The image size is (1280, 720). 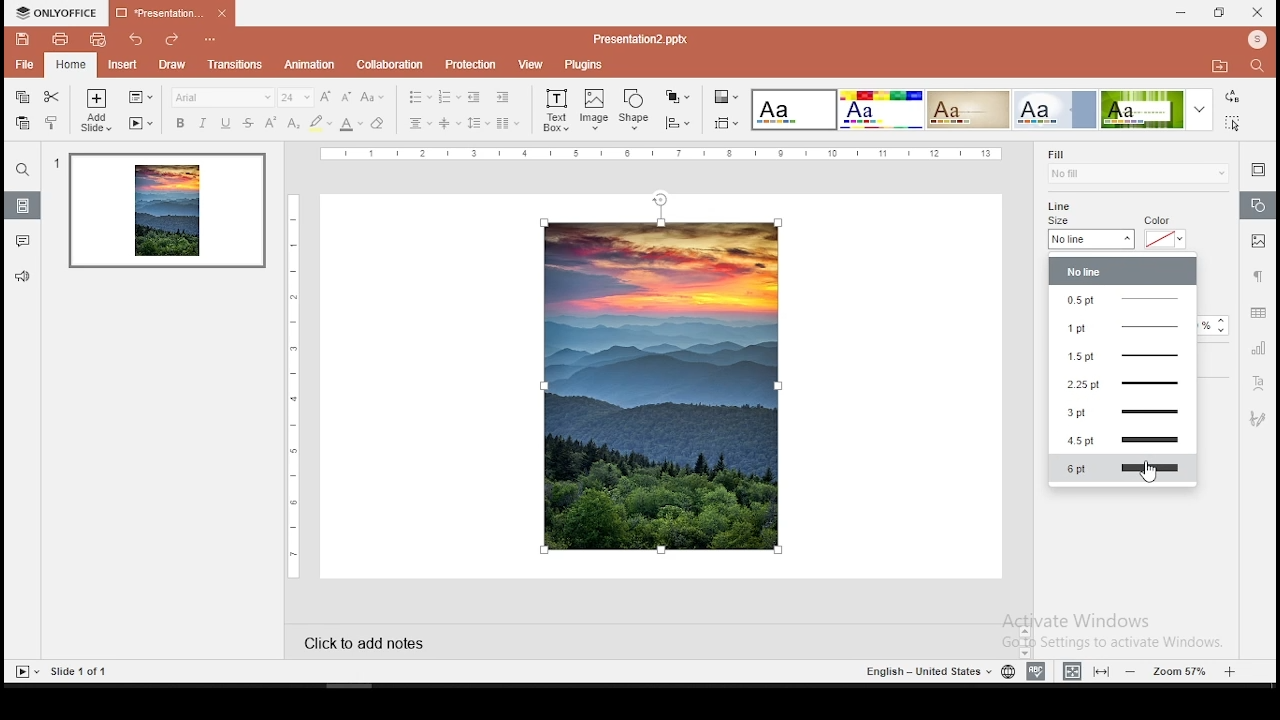 I want to click on draw, so click(x=172, y=65).